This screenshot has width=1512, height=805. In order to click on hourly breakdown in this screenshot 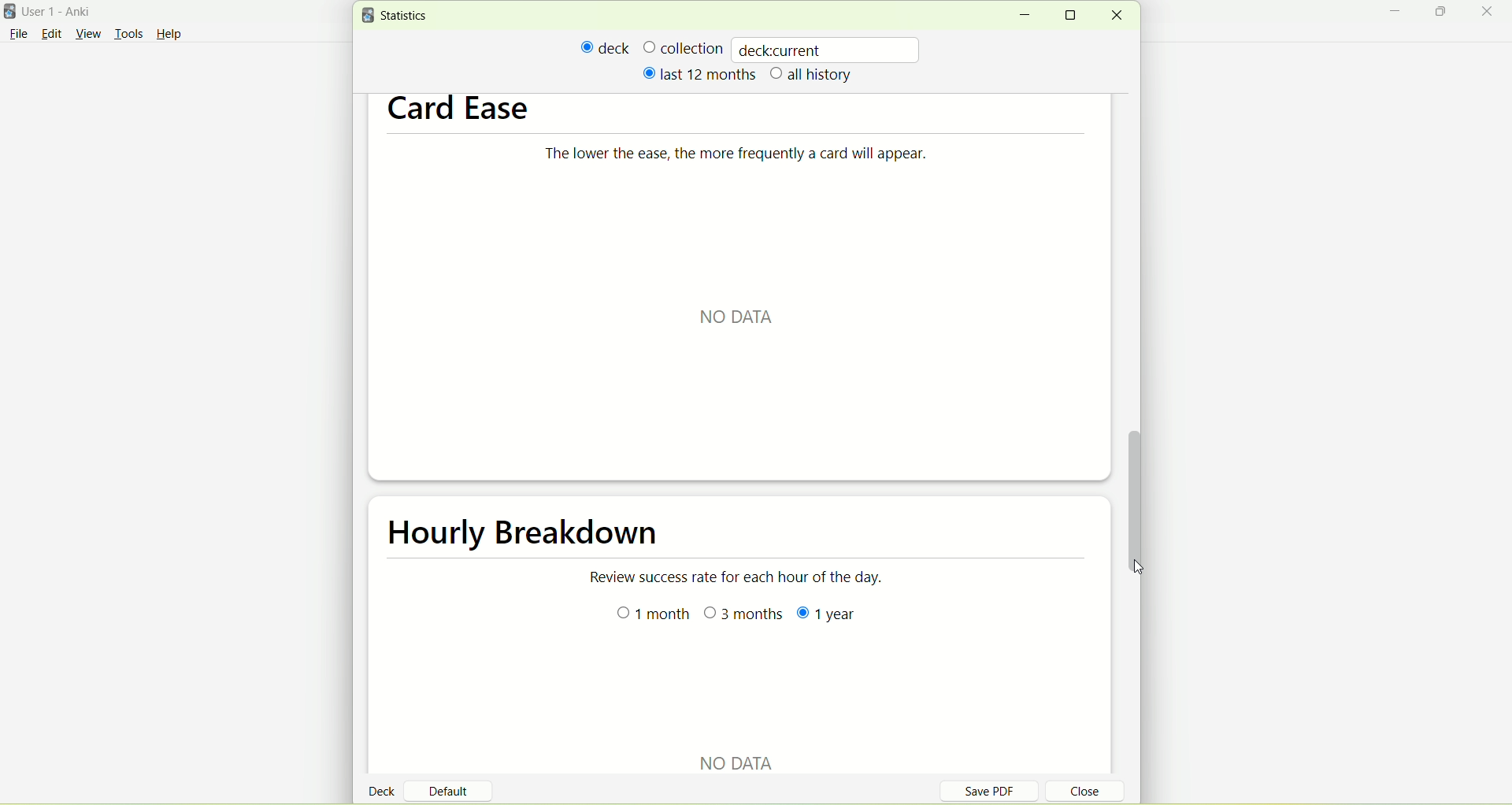, I will do `click(514, 538)`.